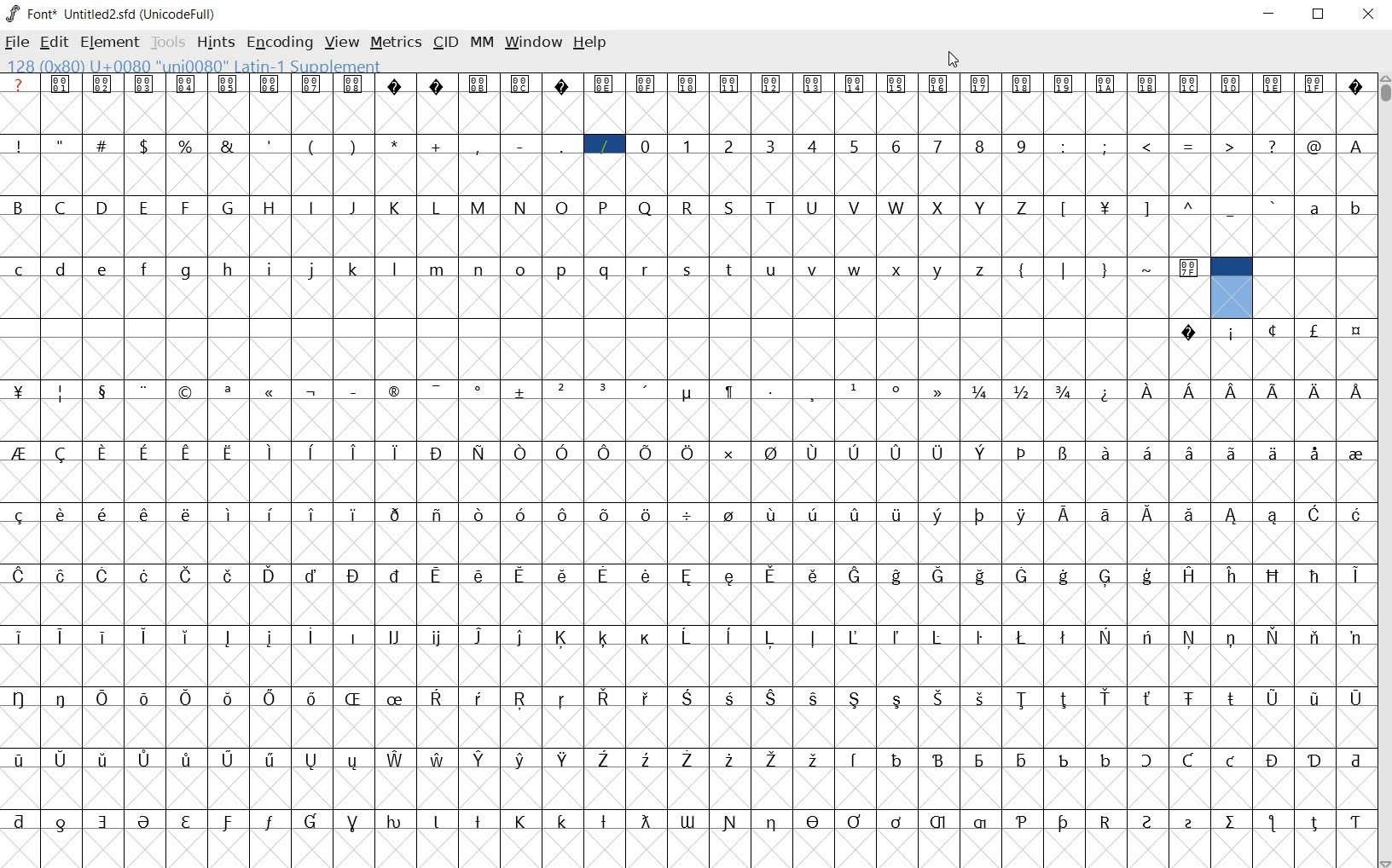 The image size is (1392, 868). I want to click on Symbol, so click(561, 84).